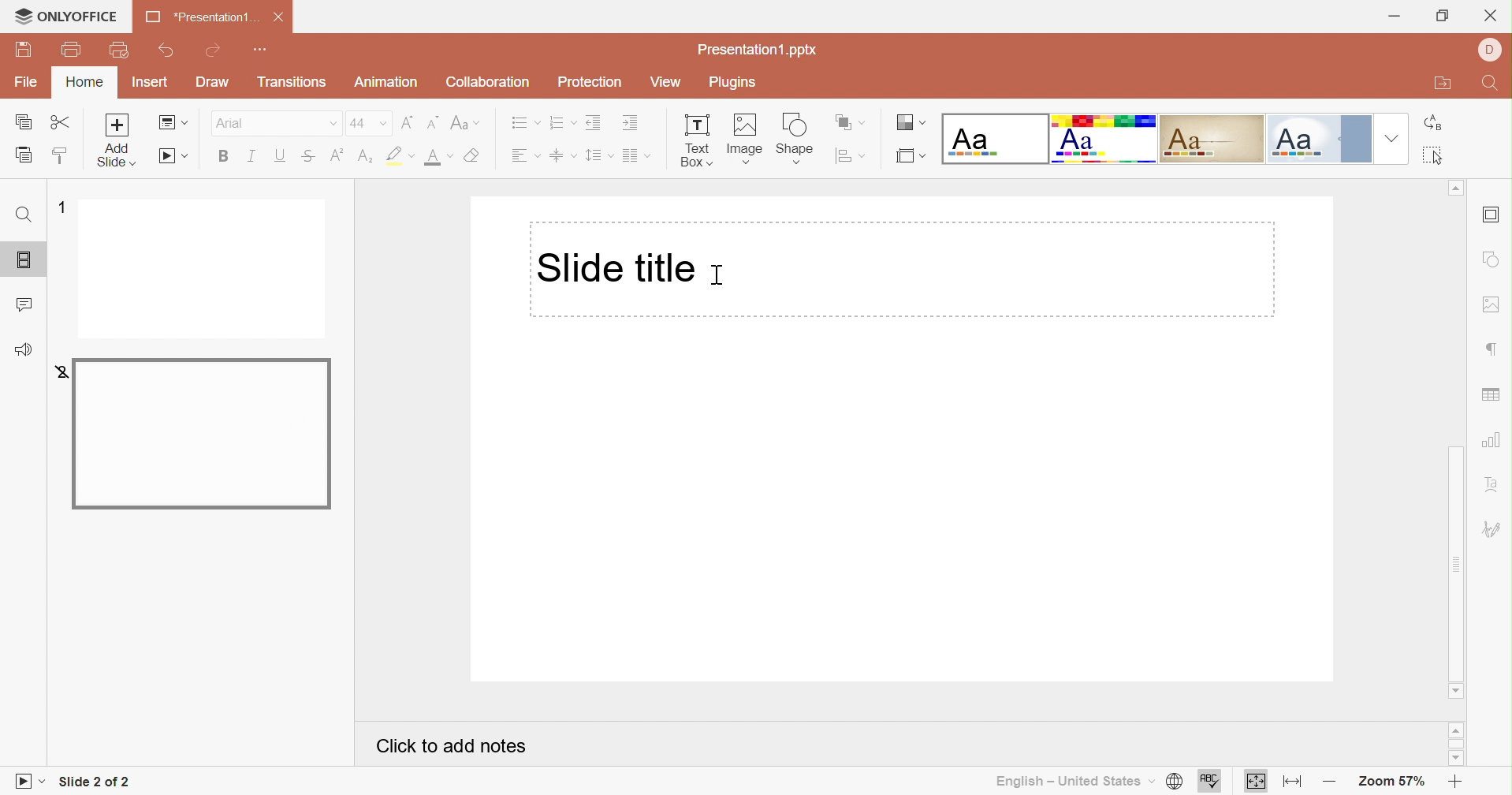  Describe the element at coordinates (19, 259) in the screenshot. I see `Slides` at that location.